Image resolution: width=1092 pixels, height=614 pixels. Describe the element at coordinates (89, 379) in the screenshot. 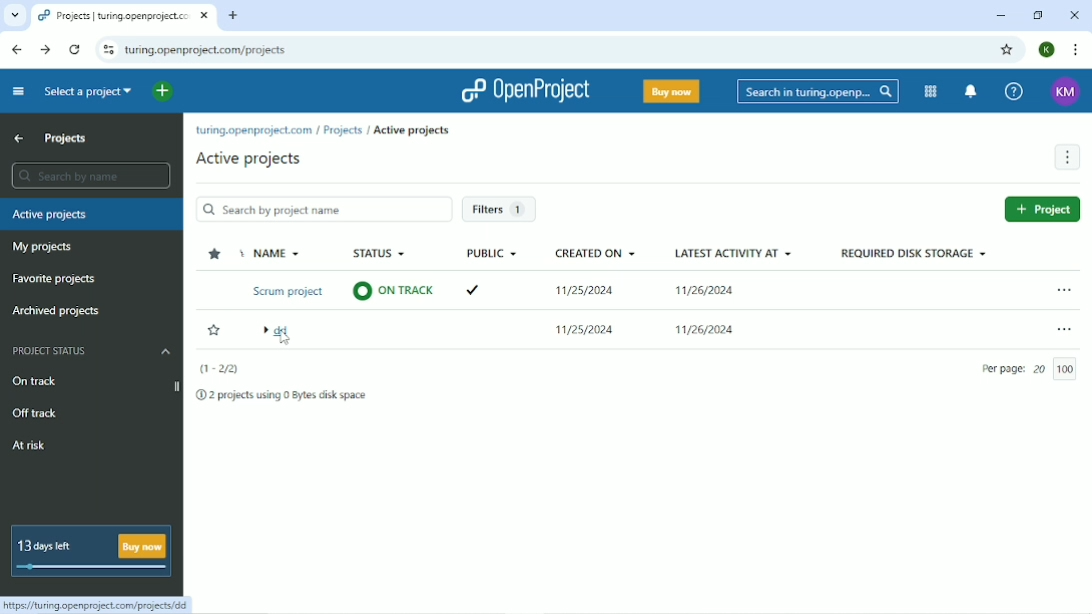

I see `On track` at that location.